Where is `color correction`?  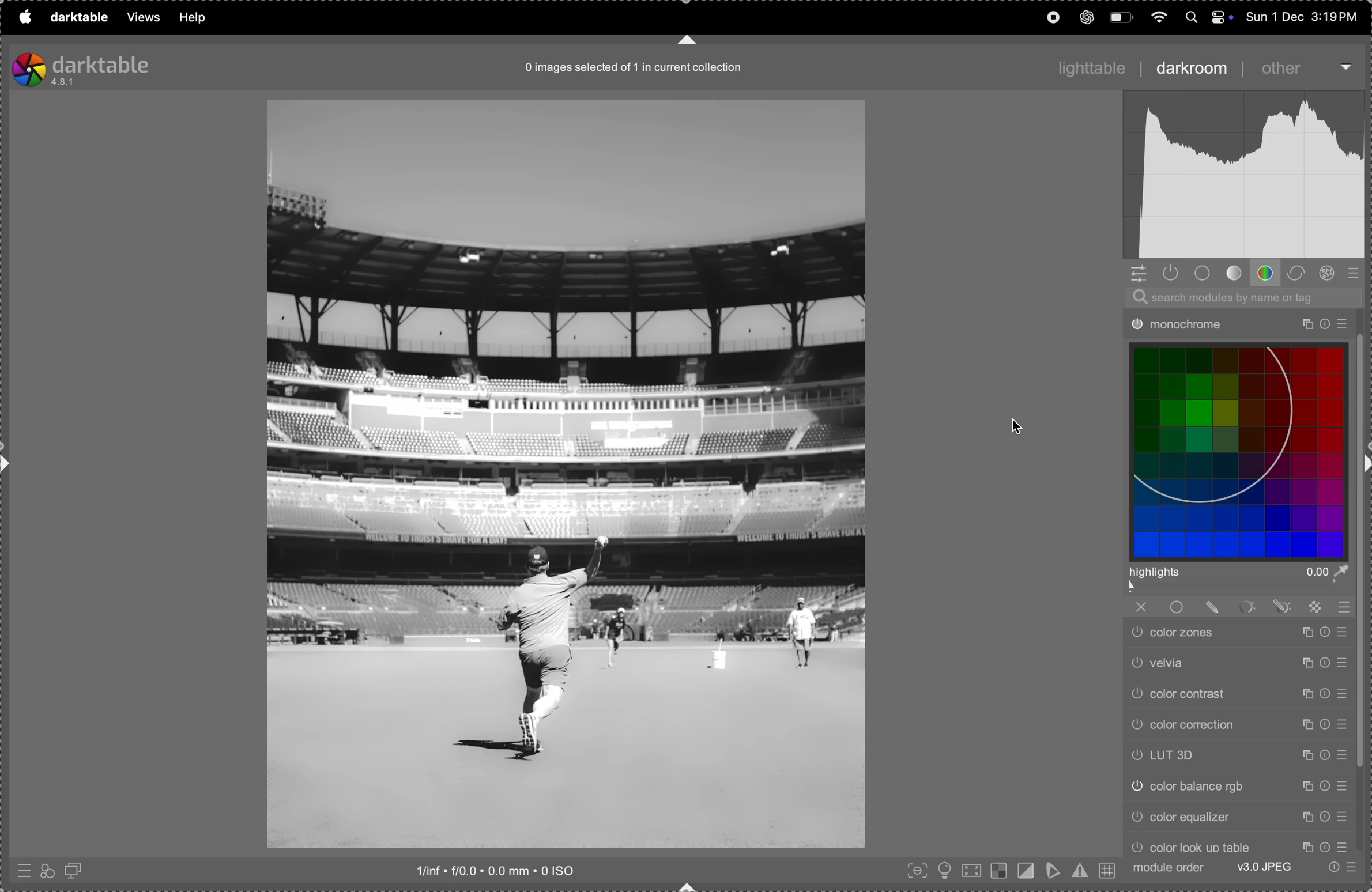 color correction is located at coordinates (1238, 725).